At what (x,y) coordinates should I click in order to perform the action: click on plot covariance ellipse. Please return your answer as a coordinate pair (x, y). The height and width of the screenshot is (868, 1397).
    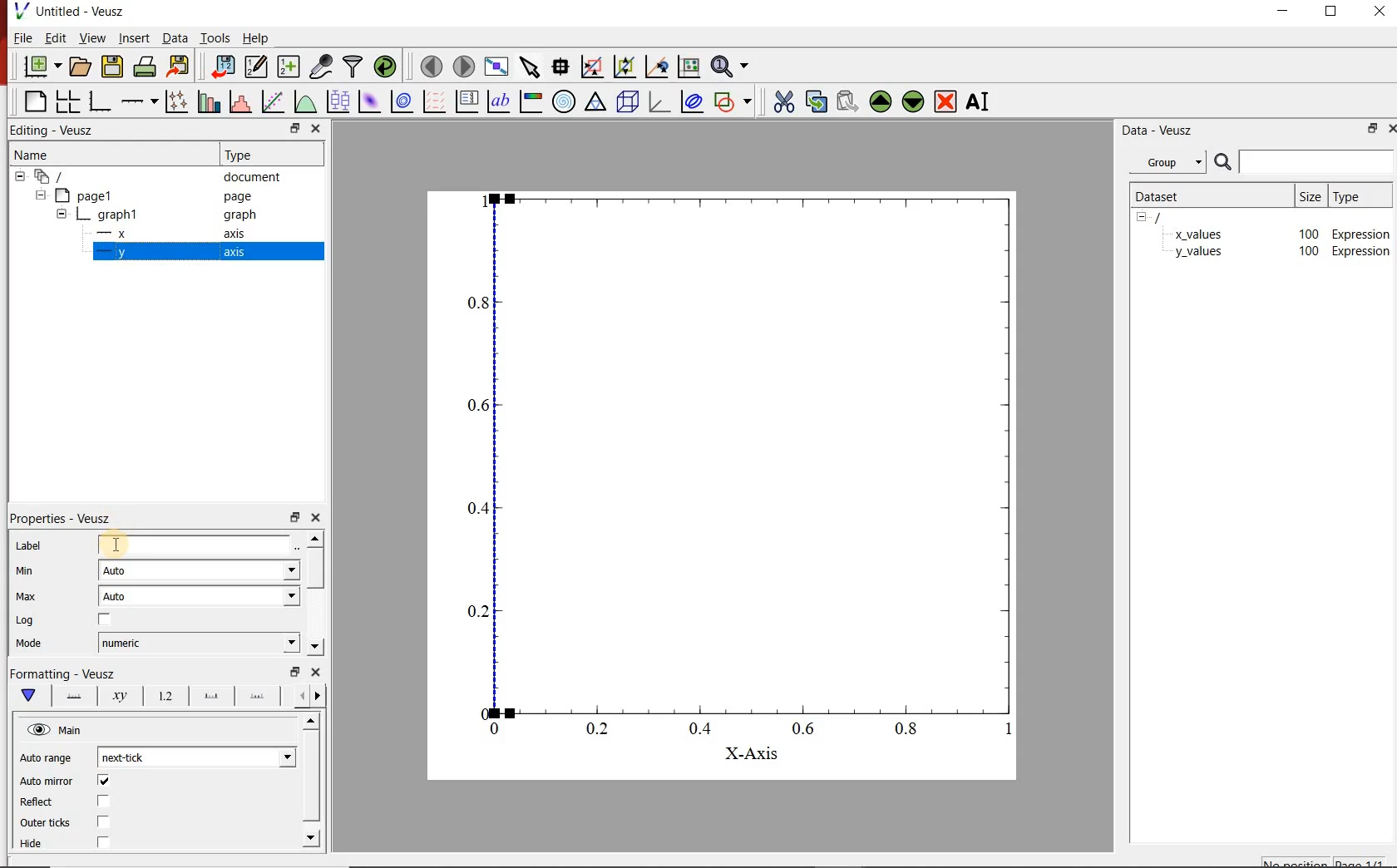
    Looking at the image, I should click on (690, 101).